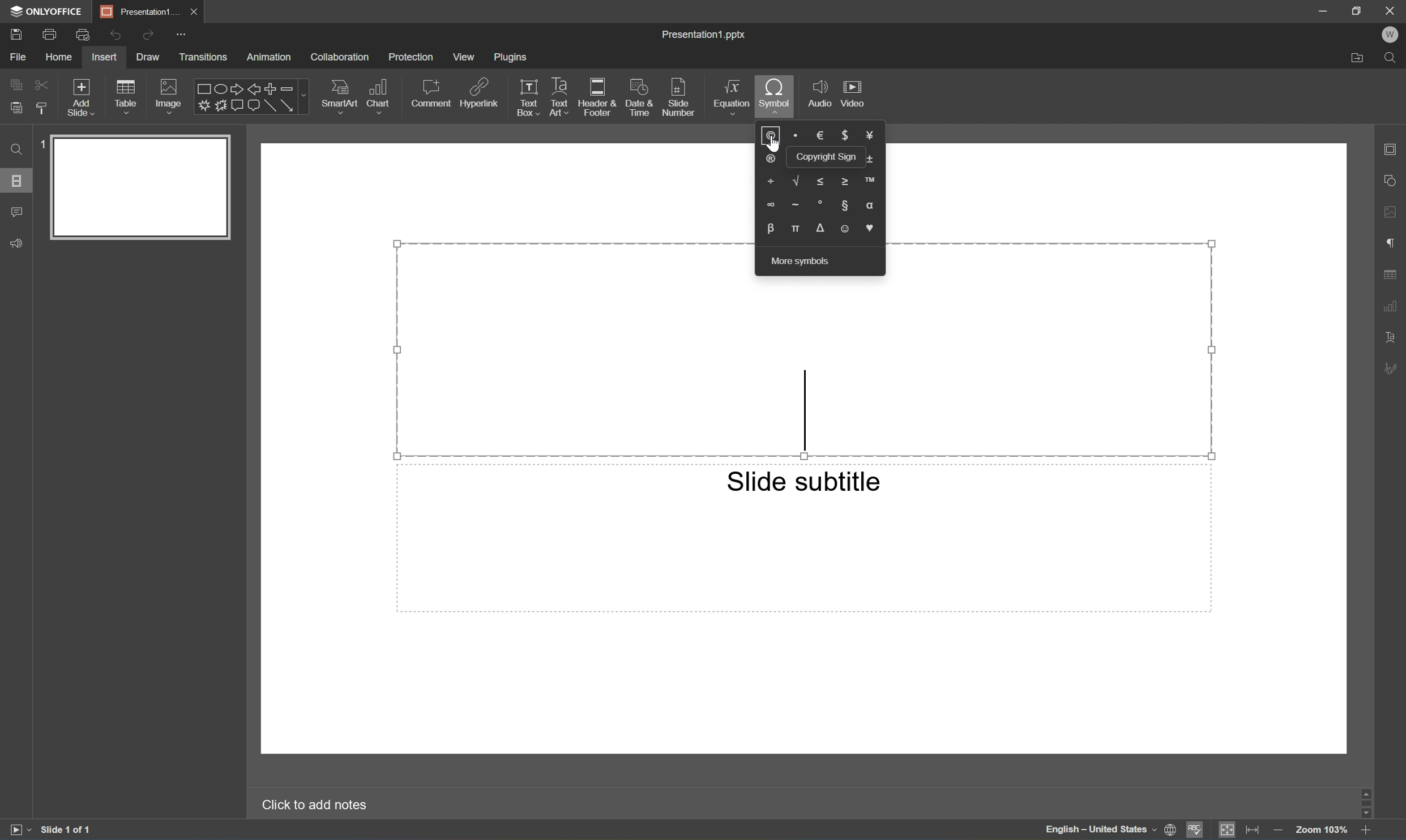 The image size is (1406, 840). I want to click on Image, so click(168, 96).